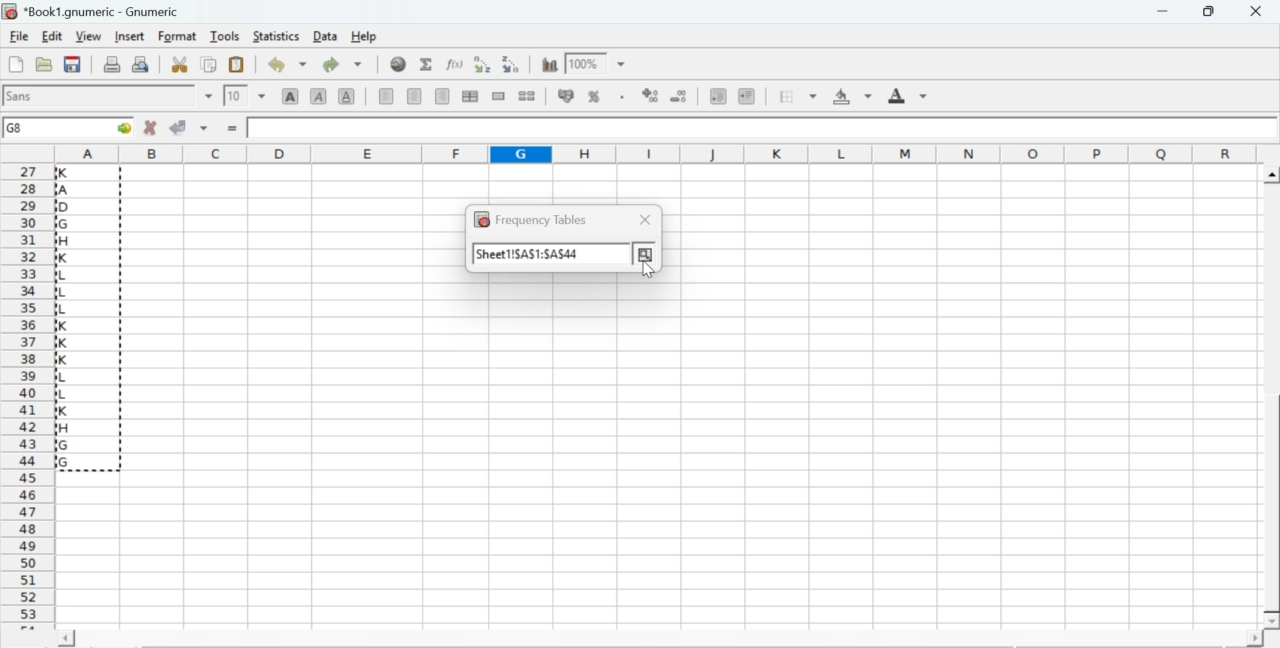 Image resolution: width=1280 pixels, height=648 pixels. I want to click on sheet1!$A$1:$A$44, so click(528, 254).